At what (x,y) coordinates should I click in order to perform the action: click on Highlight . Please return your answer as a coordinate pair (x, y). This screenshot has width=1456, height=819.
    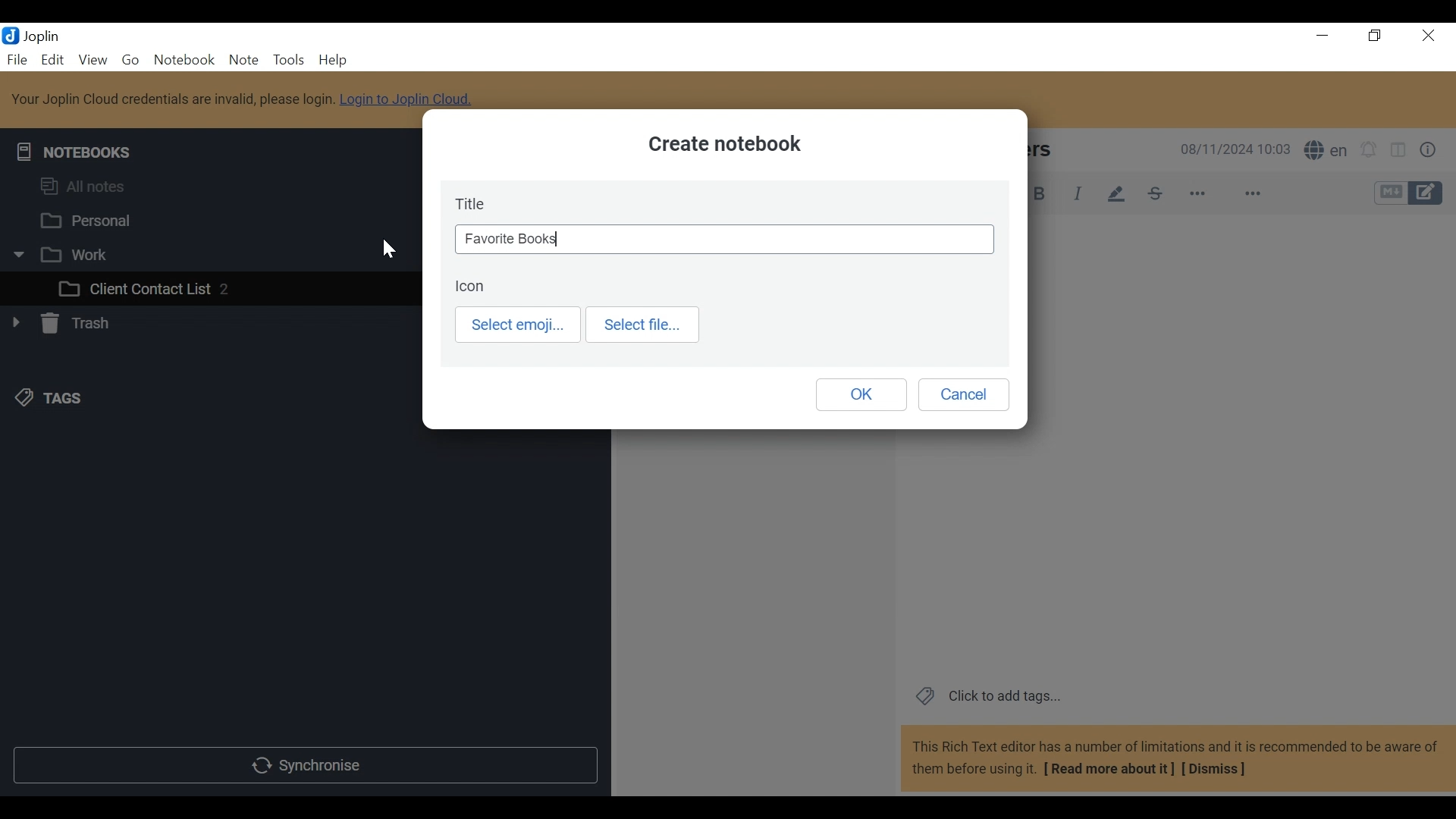
    Looking at the image, I should click on (1116, 194).